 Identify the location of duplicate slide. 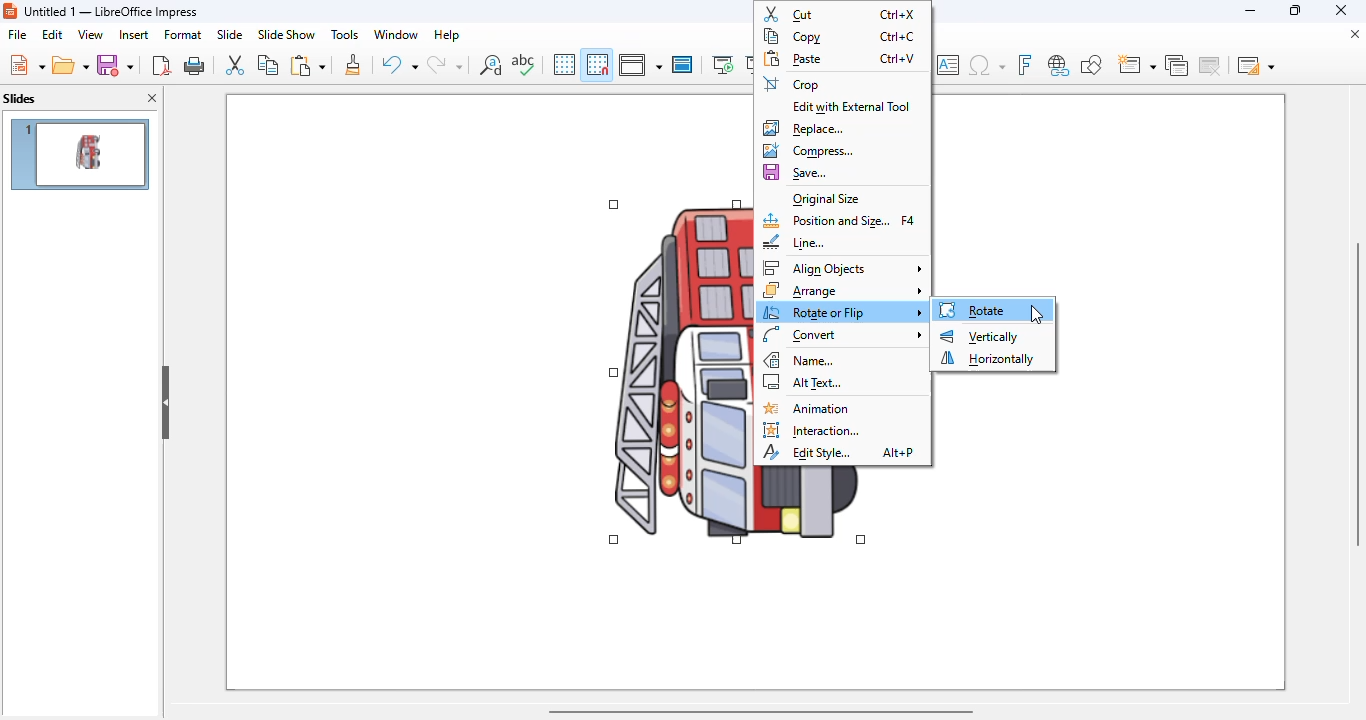
(1177, 65).